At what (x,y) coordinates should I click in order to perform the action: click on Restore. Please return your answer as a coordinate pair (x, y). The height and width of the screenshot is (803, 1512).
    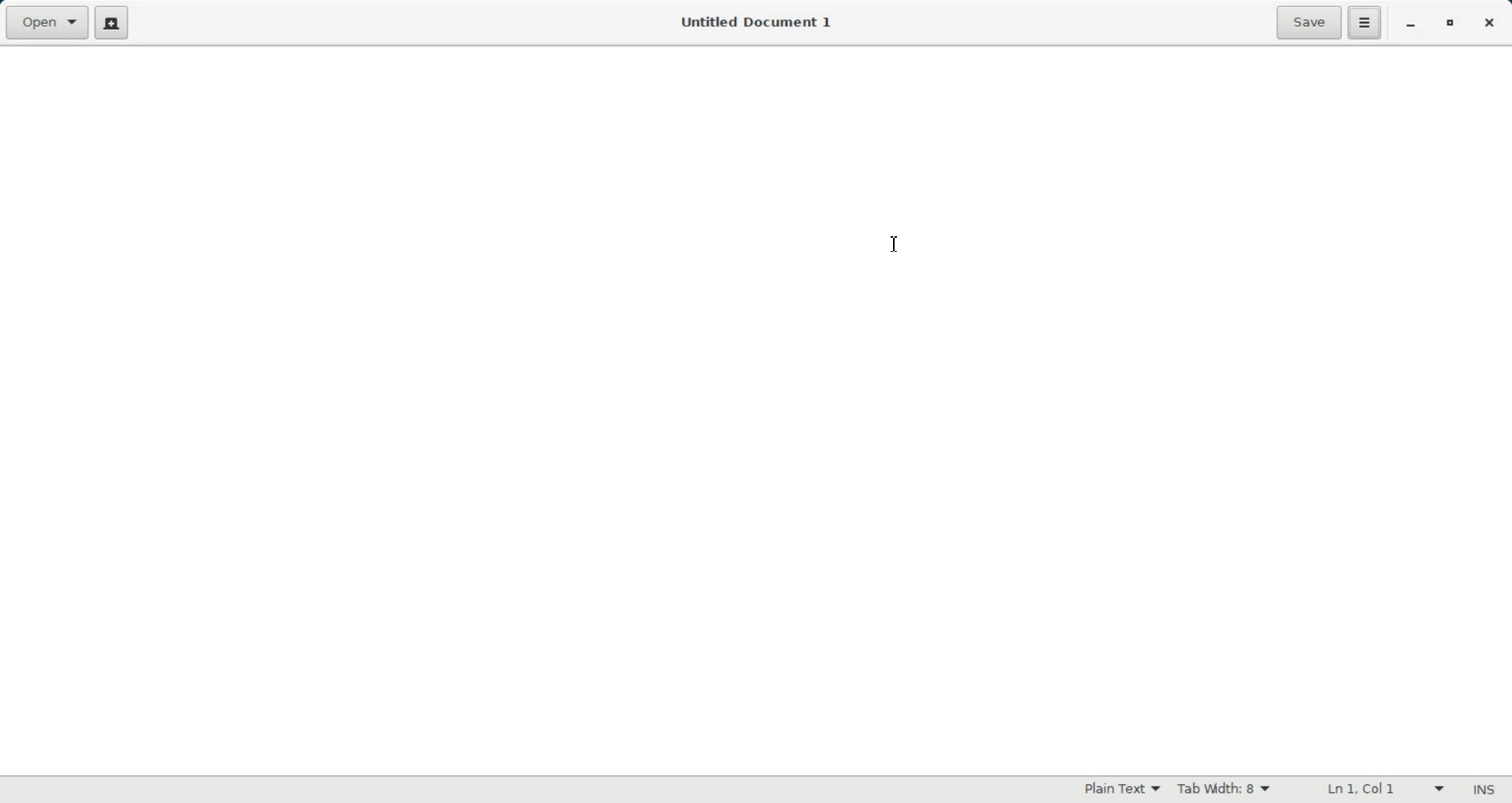
    Looking at the image, I should click on (1450, 24).